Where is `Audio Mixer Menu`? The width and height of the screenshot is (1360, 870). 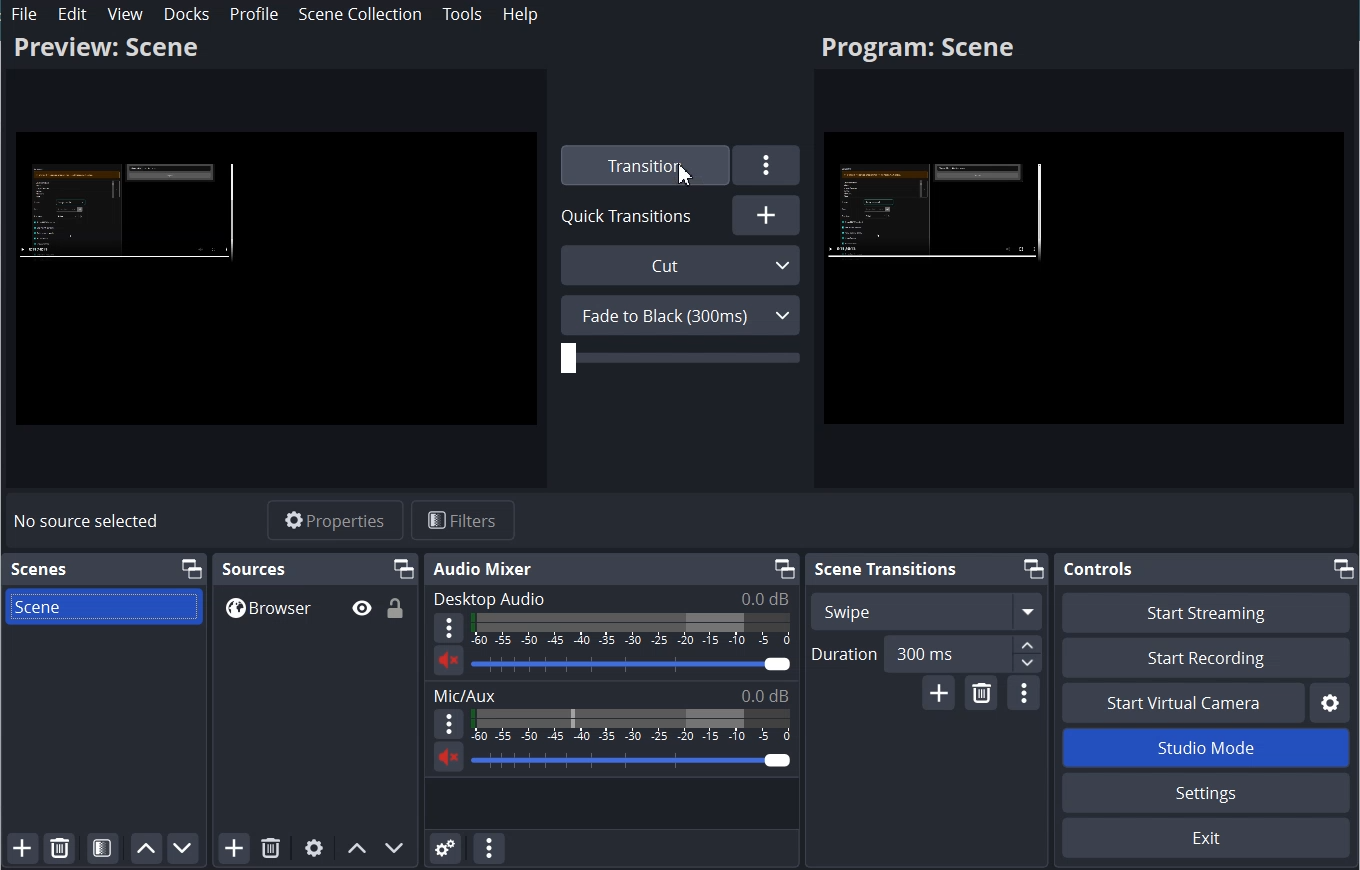 Audio Mixer Menu is located at coordinates (488, 848).